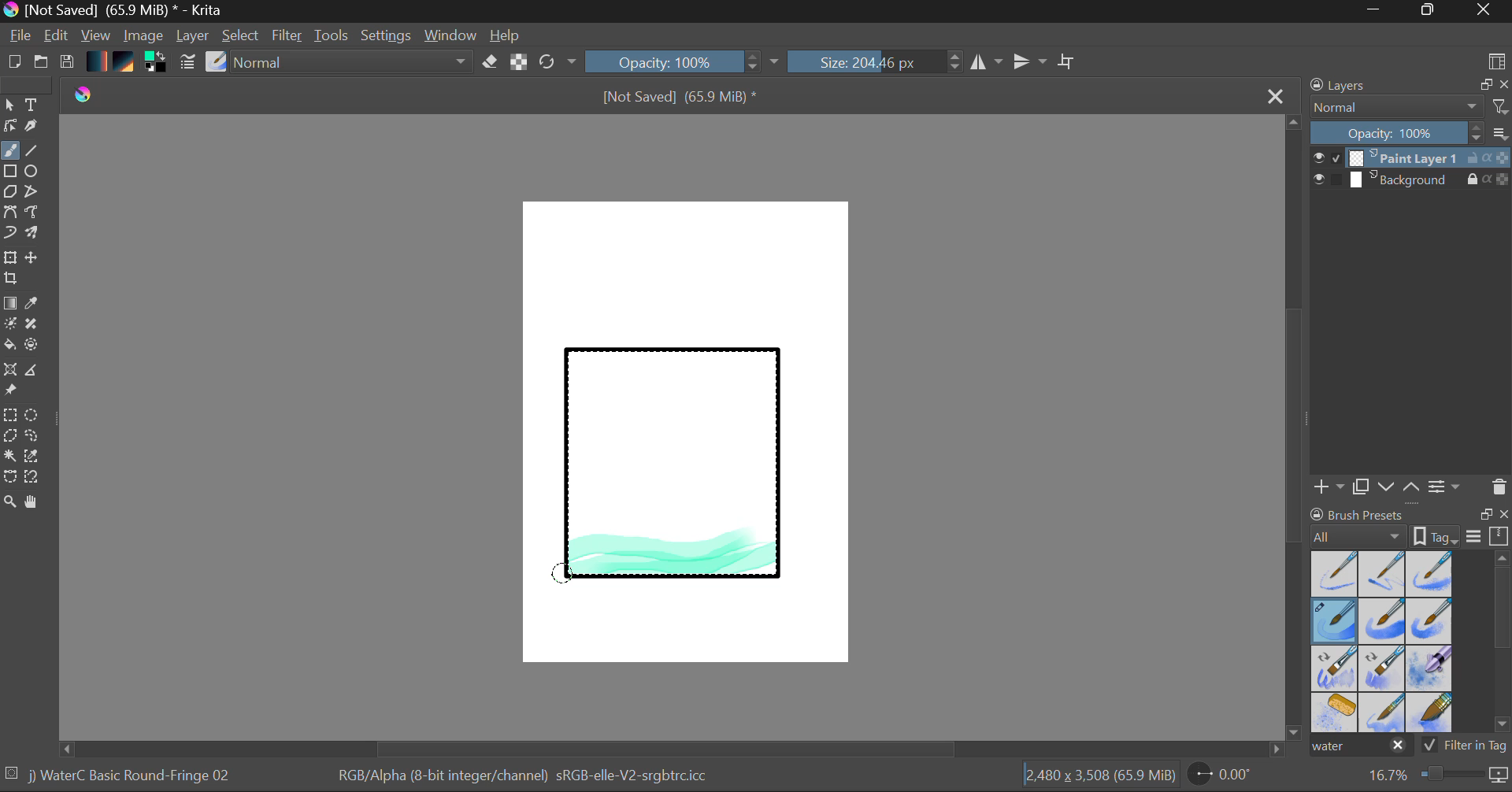 Image resolution: width=1512 pixels, height=792 pixels. Describe the element at coordinates (1445, 486) in the screenshot. I see `Layer Settings` at that location.